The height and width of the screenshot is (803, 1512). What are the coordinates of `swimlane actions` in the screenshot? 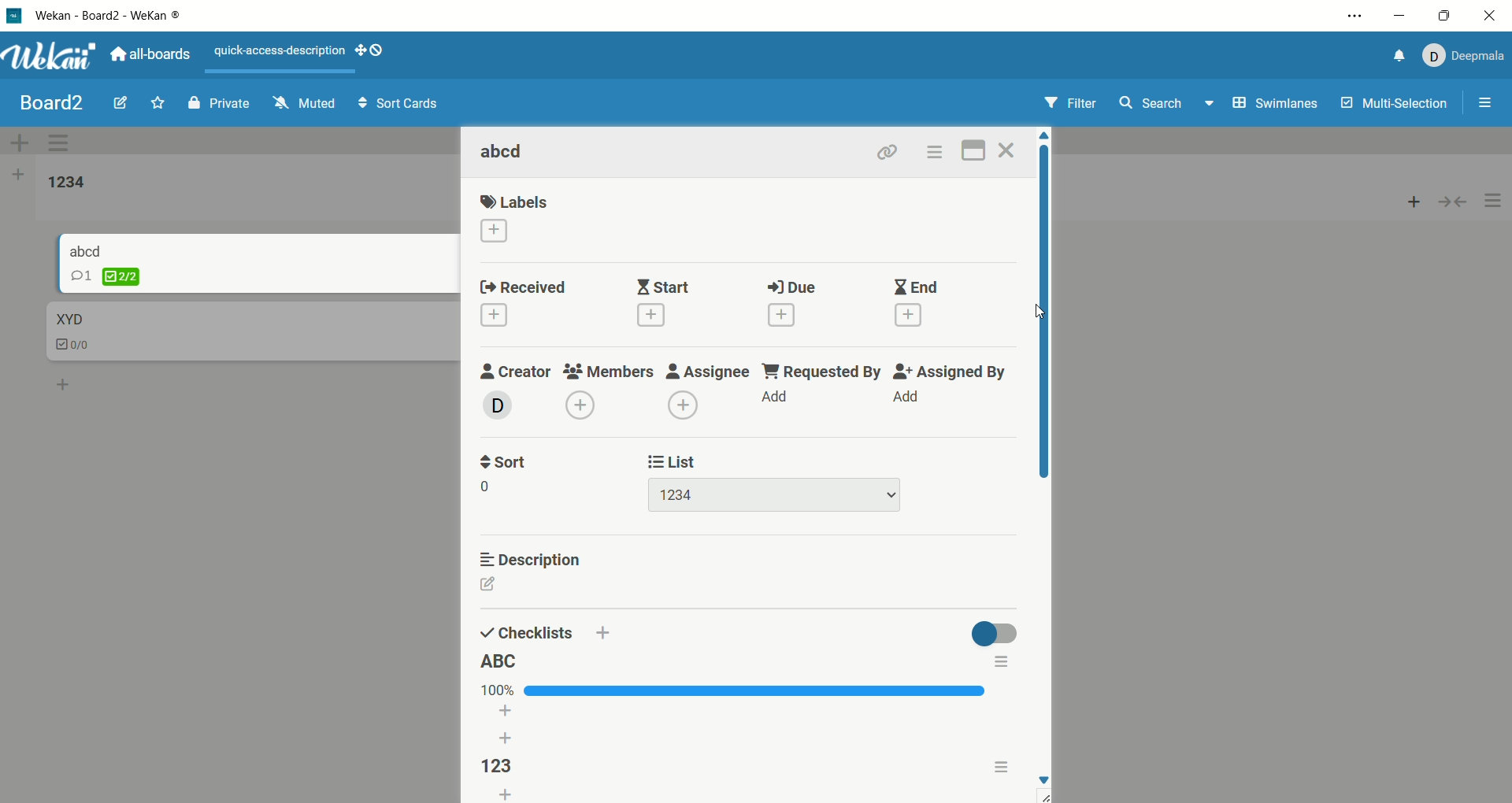 It's located at (62, 144).